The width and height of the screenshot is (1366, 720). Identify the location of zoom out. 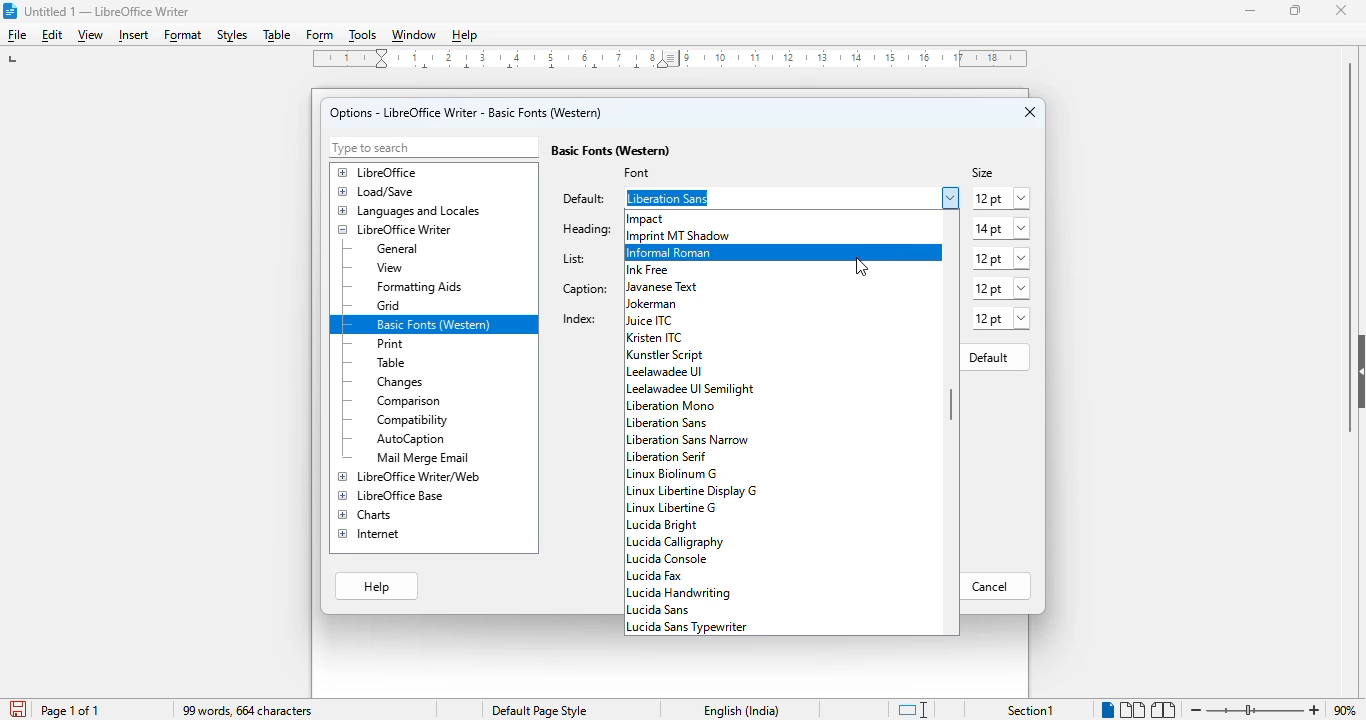
(1195, 711).